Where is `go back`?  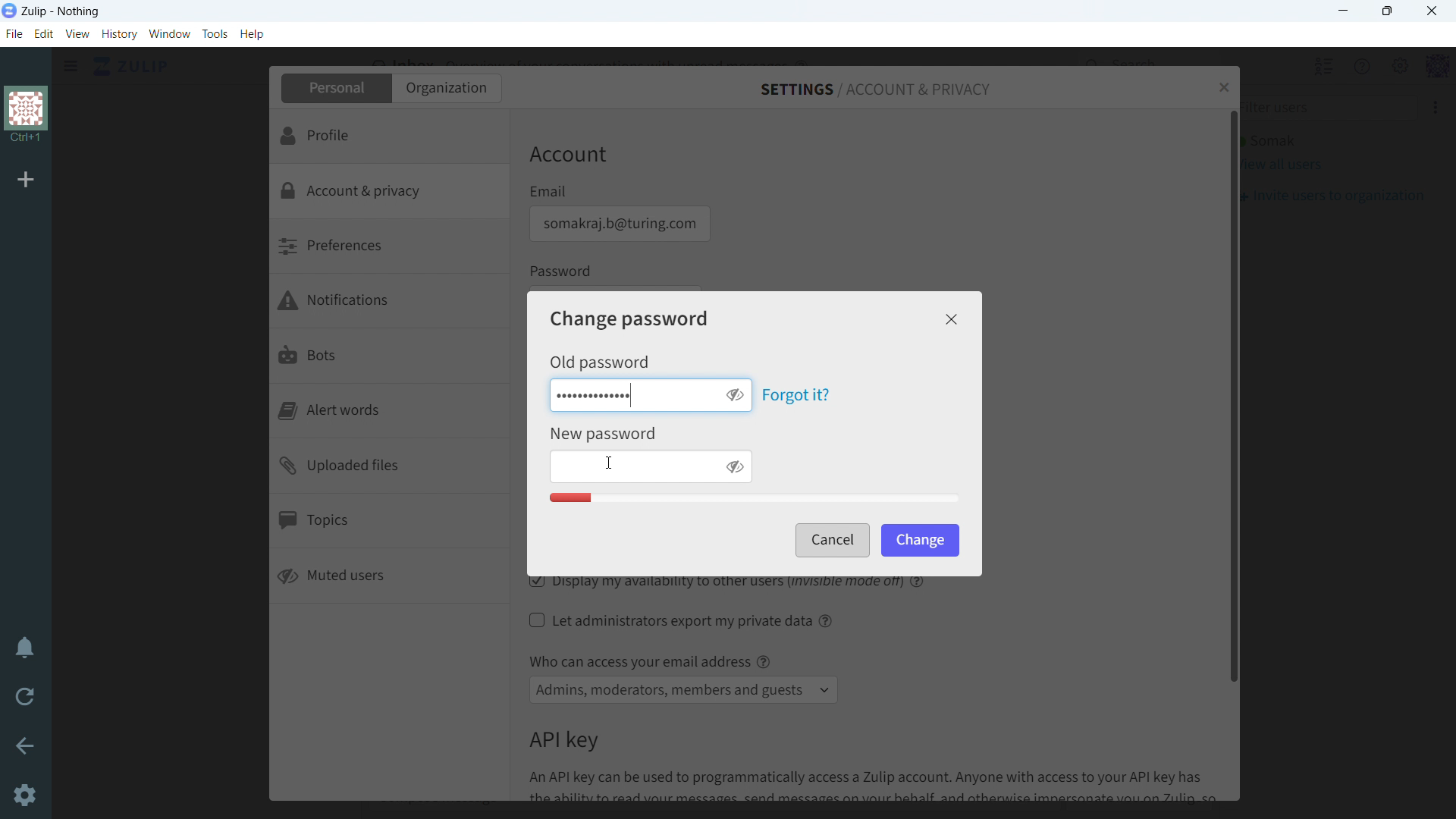 go back is located at coordinates (26, 744).